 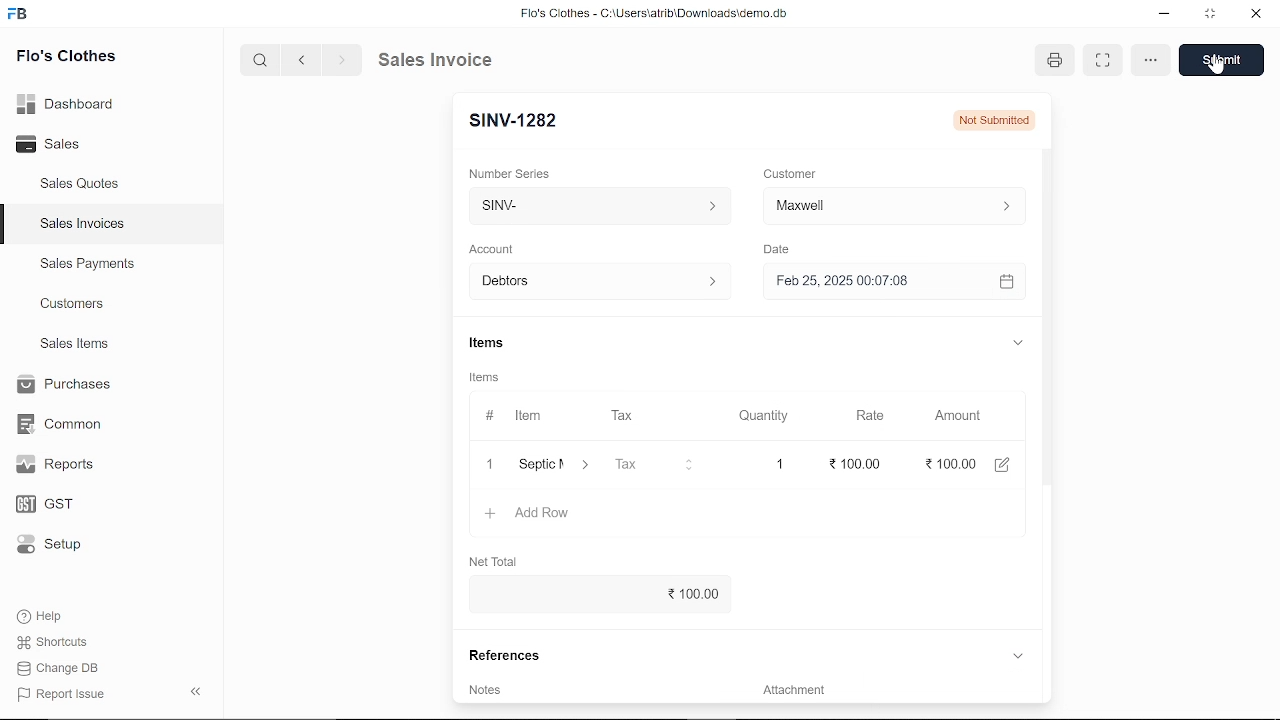 What do you see at coordinates (82, 224) in the screenshot?
I see `Sales Invoices` at bounding box center [82, 224].